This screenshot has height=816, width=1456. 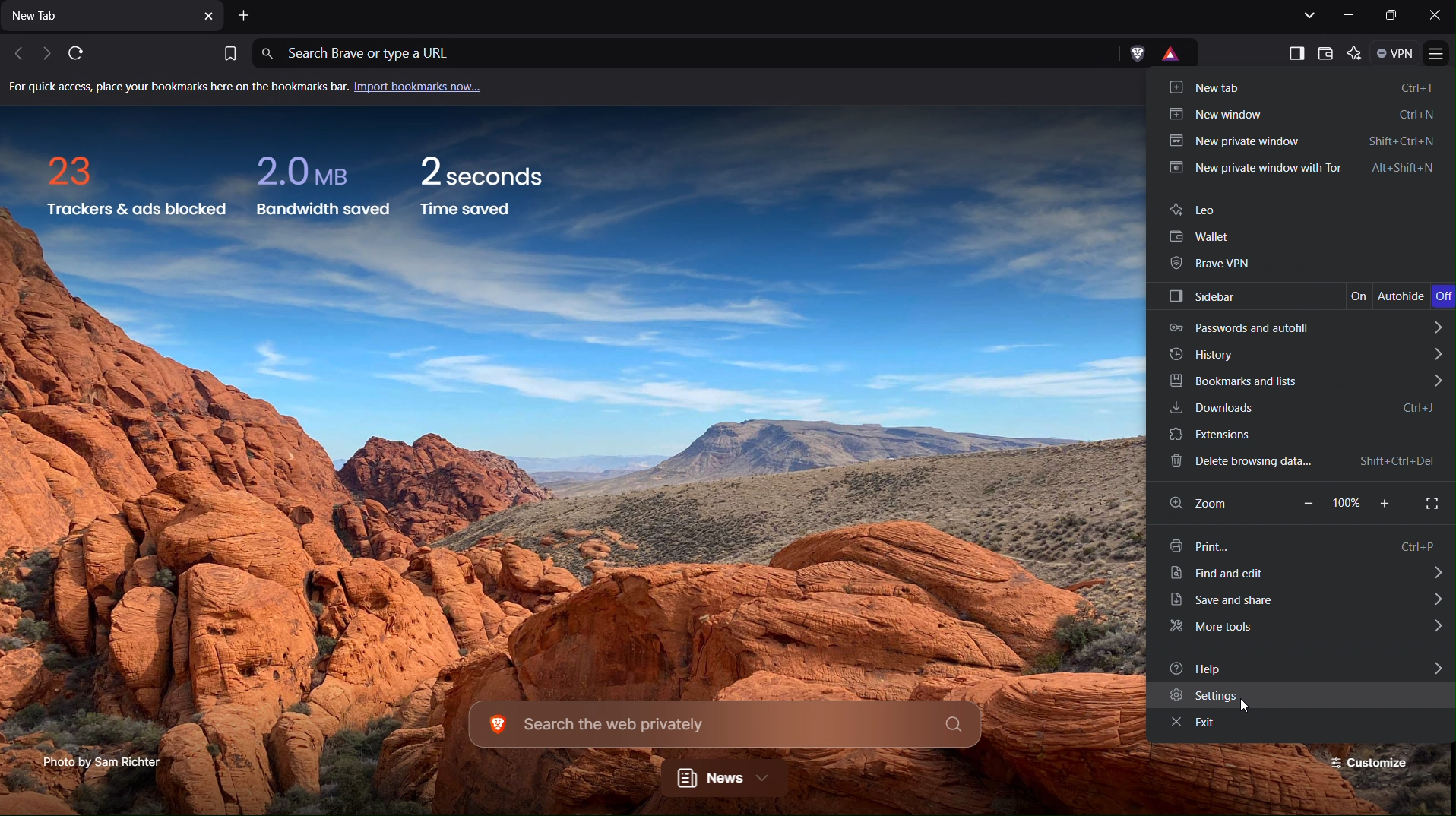 I want to click on Print, so click(x=1302, y=542).